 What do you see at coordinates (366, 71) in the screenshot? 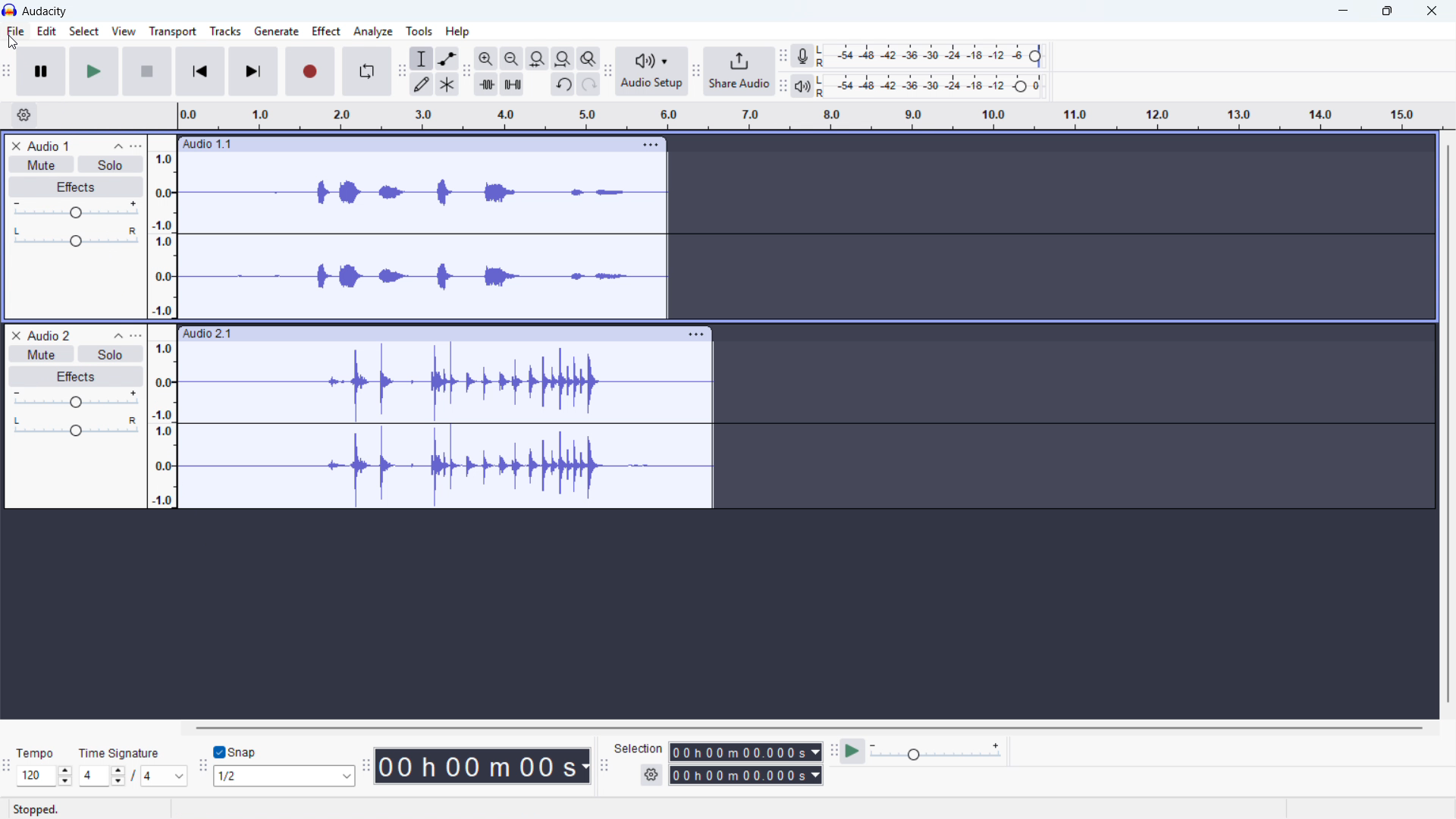
I see `Enable loop ` at bounding box center [366, 71].